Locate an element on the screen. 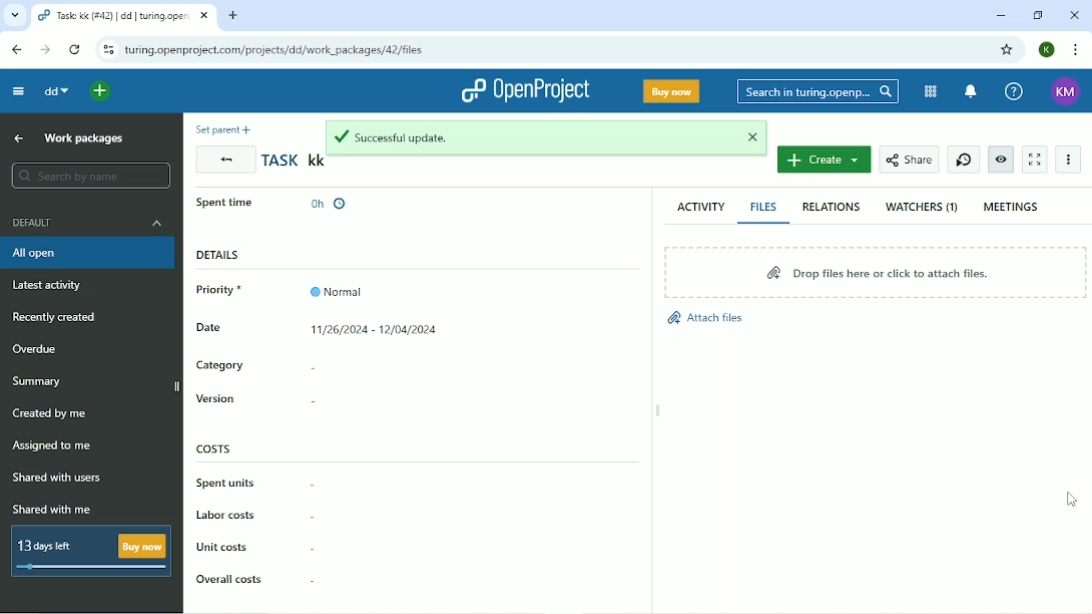  Search by name is located at coordinates (87, 176).